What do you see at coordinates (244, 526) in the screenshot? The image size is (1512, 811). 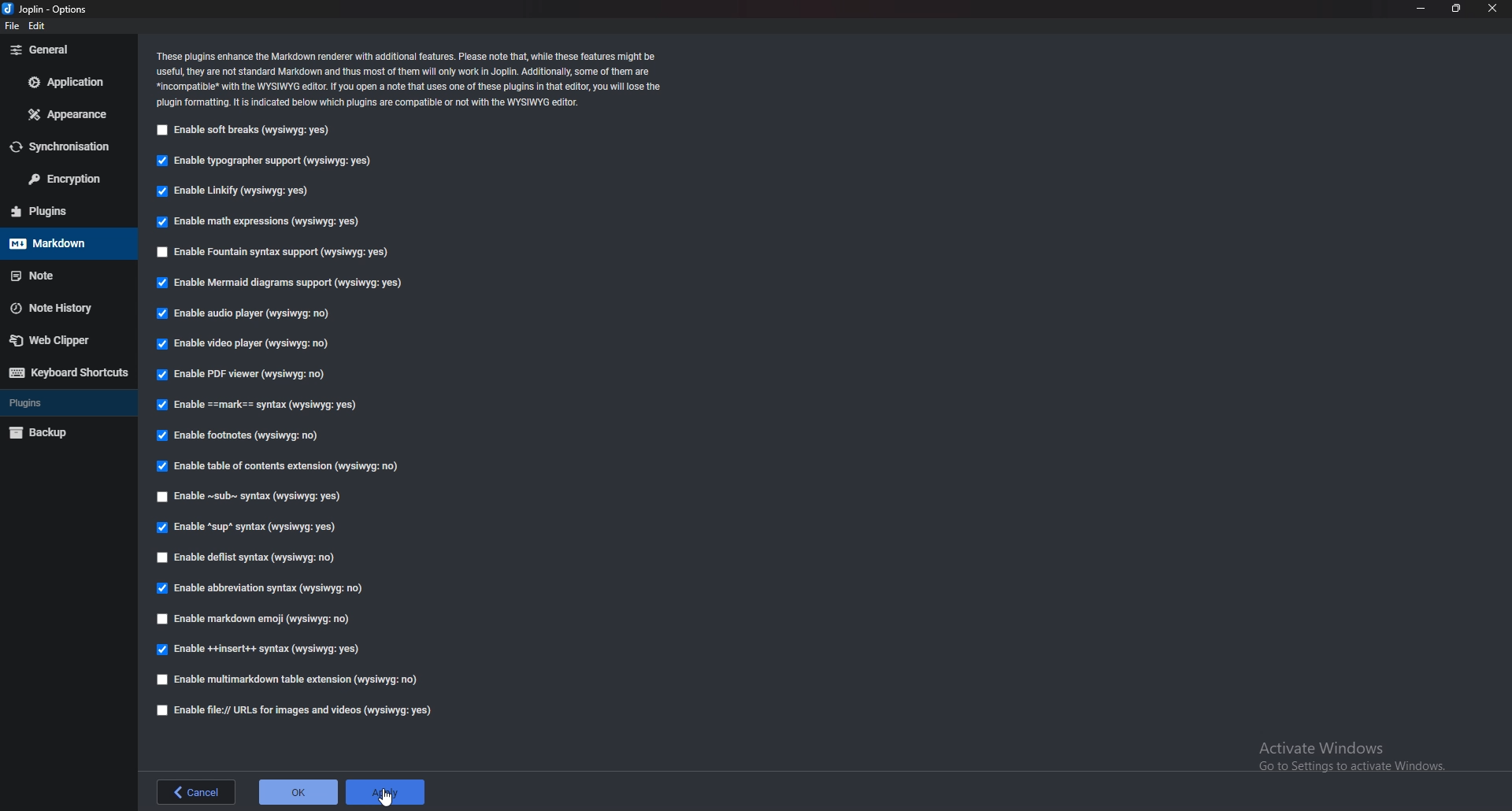 I see `enable Sup syntax` at bounding box center [244, 526].